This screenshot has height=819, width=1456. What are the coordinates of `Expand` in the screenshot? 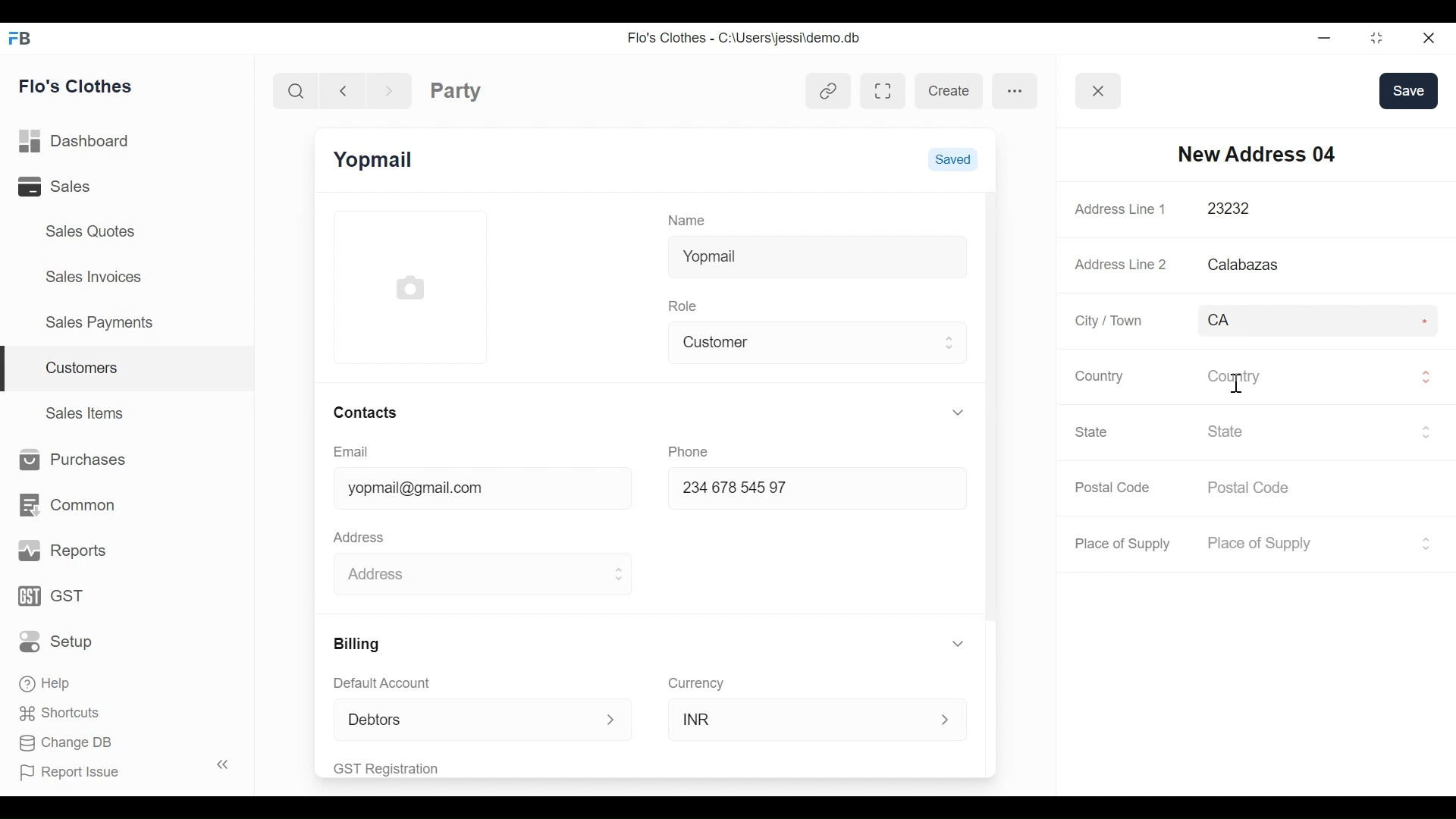 It's located at (617, 575).